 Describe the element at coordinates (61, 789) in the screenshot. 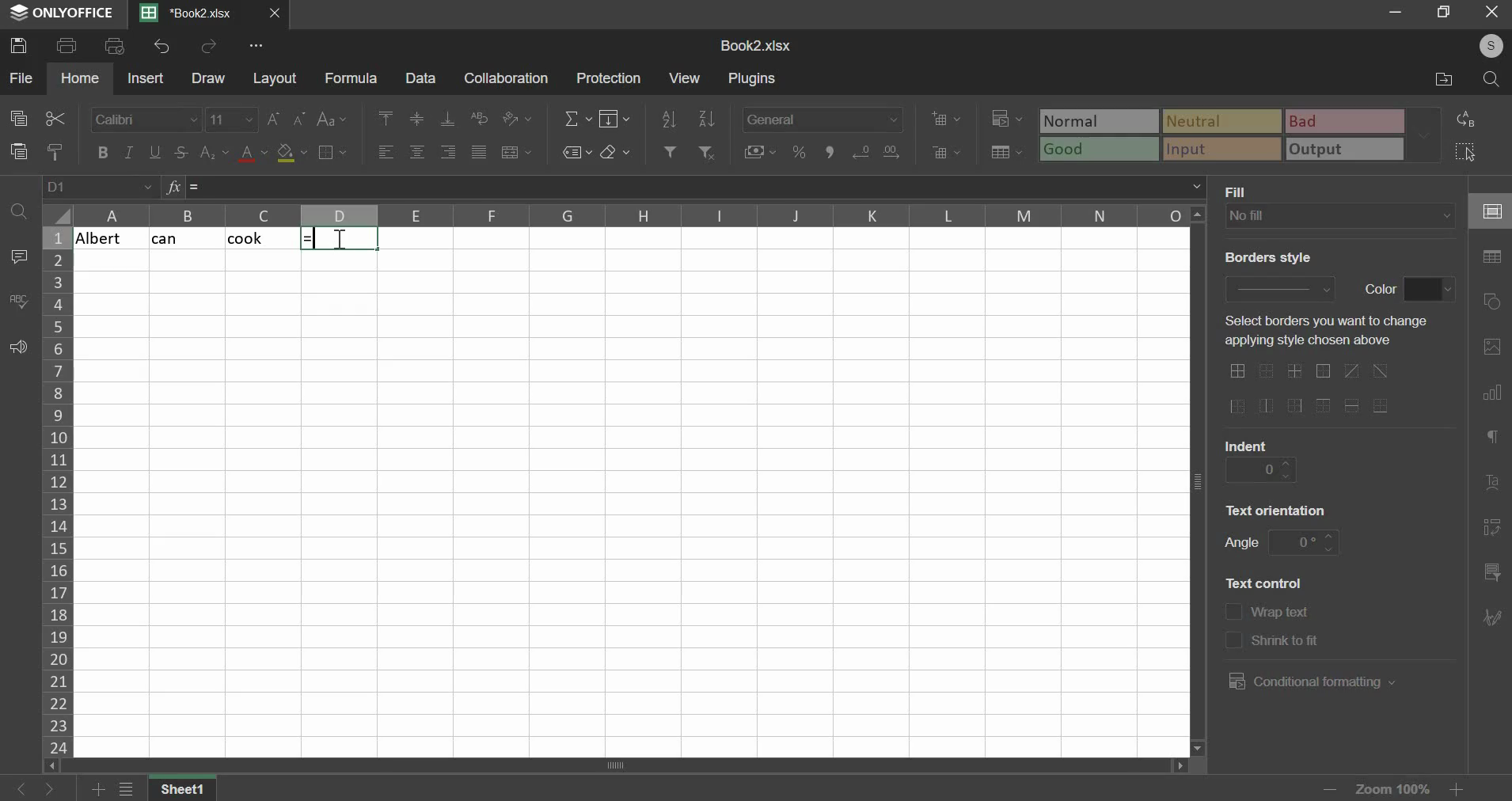

I see `go forward` at that location.